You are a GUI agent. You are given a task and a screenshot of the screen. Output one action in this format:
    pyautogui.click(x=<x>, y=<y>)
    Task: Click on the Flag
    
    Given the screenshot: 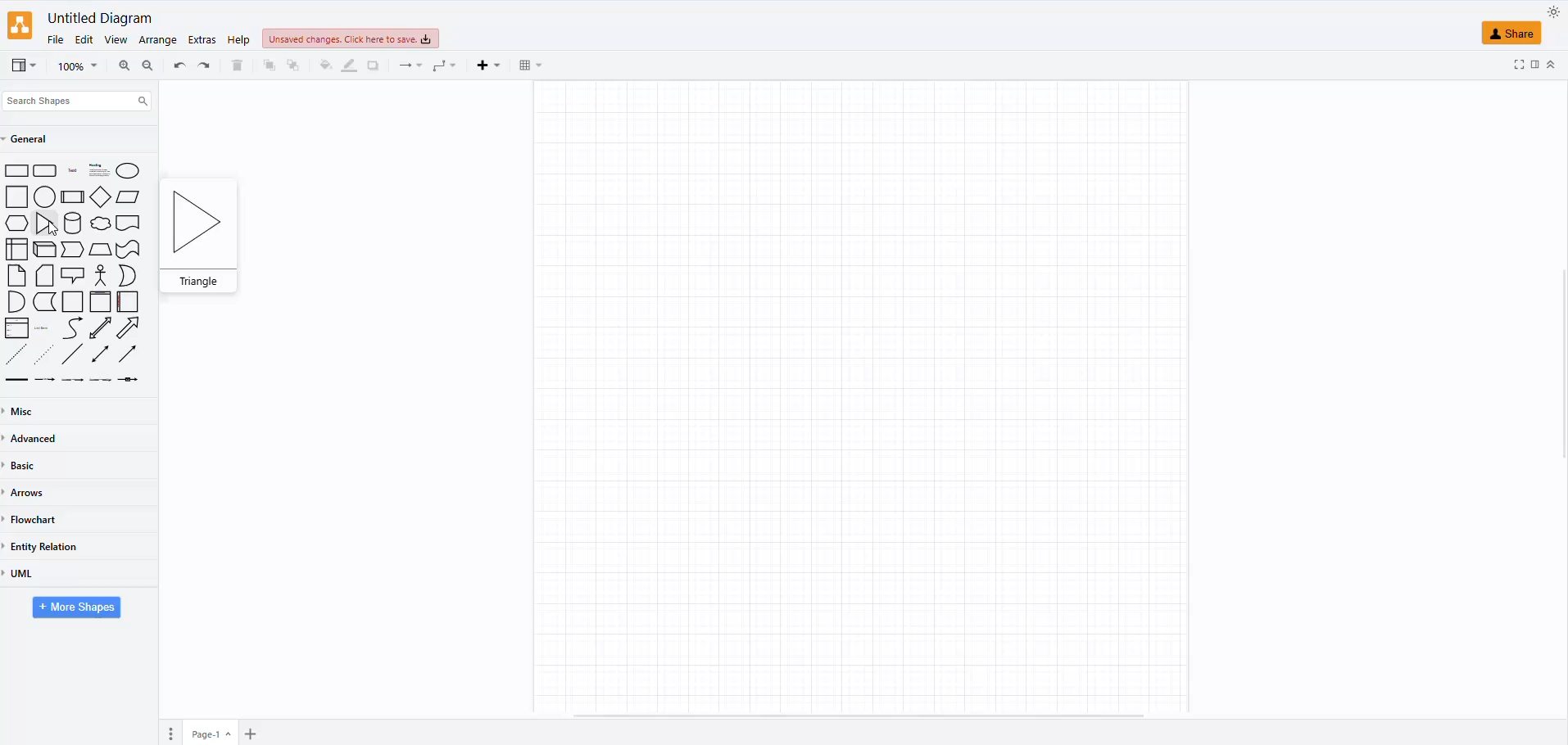 What is the action you would take?
    pyautogui.click(x=129, y=251)
    